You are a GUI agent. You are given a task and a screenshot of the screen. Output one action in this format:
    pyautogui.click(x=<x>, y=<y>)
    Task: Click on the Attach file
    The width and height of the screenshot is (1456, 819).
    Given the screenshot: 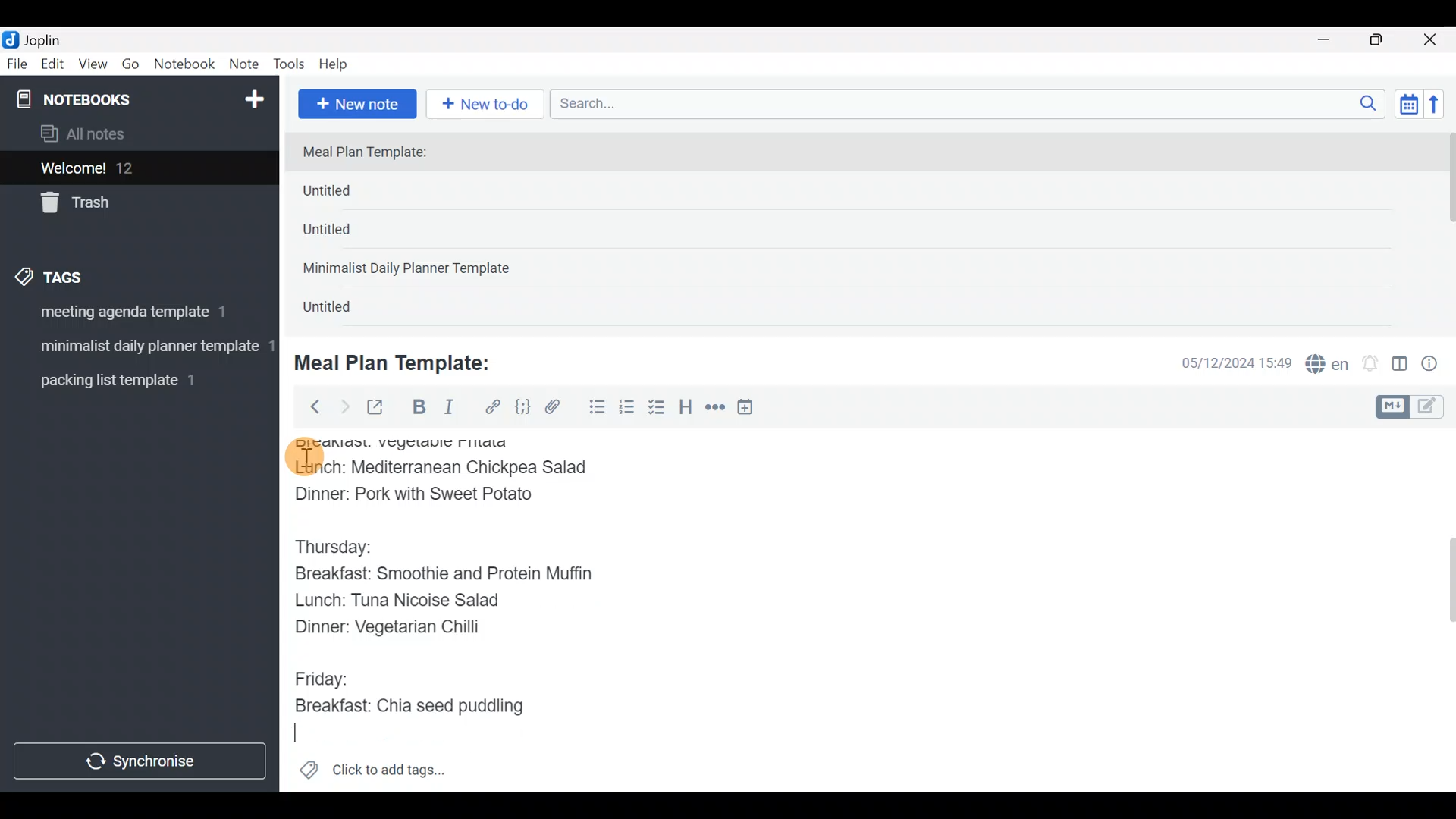 What is the action you would take?
    pyautogui.click(x=557, y=409)
    